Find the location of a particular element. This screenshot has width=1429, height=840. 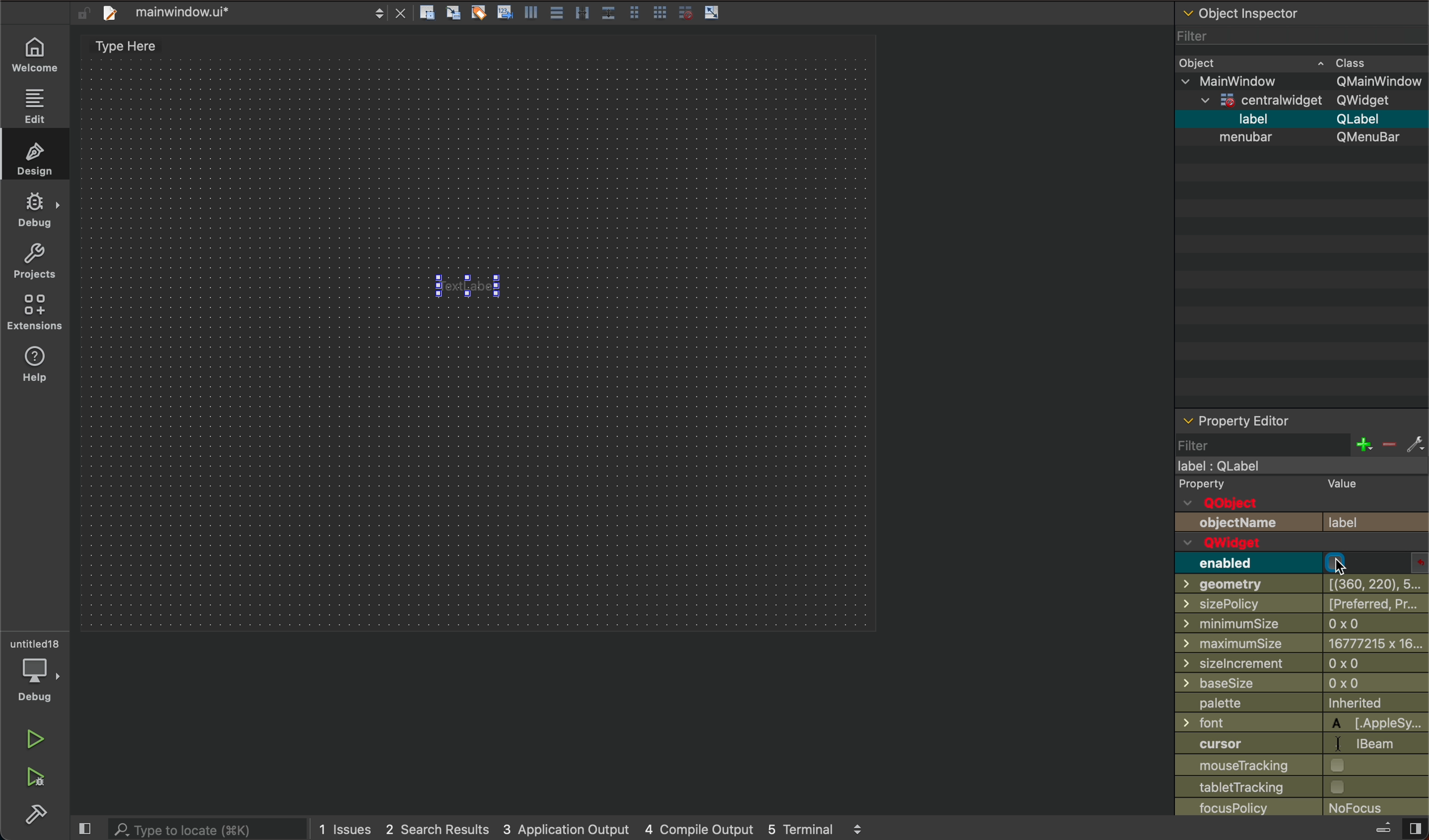

label is located at coordinates (1364, 521).